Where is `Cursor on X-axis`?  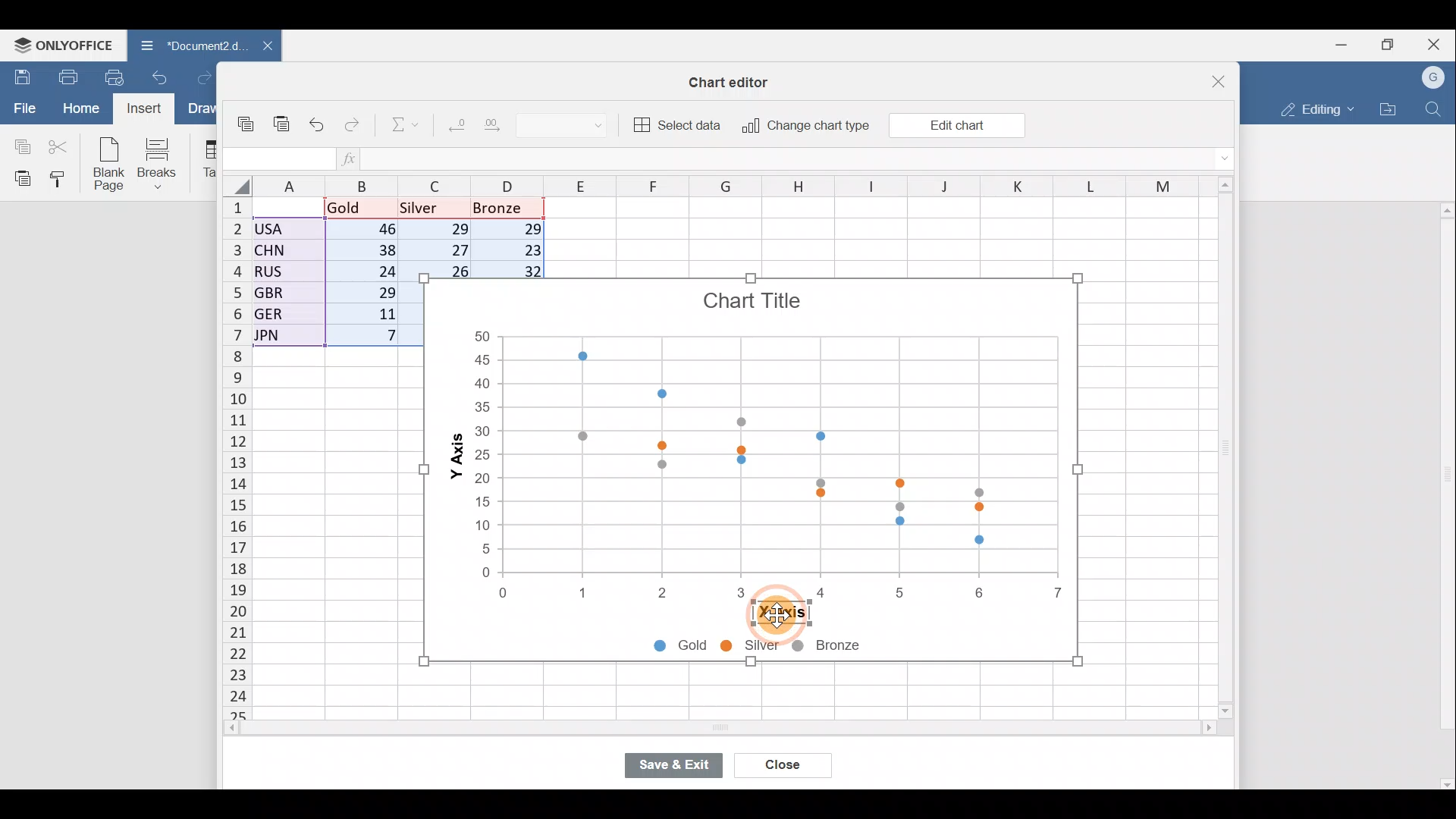 Cursor on X-axis is located at coordinates (781, 614).